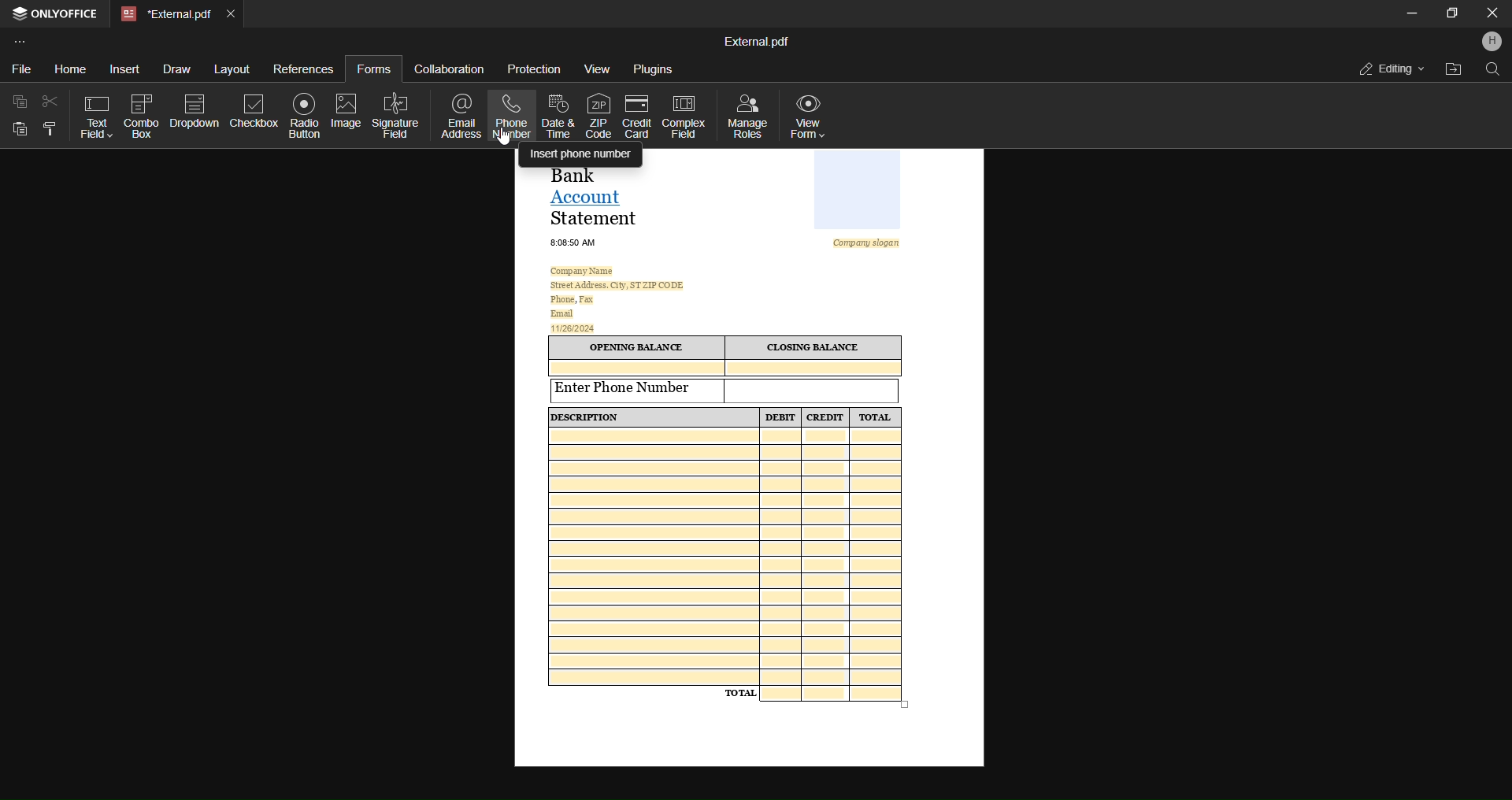  I want to click on file, so click(20, 69).